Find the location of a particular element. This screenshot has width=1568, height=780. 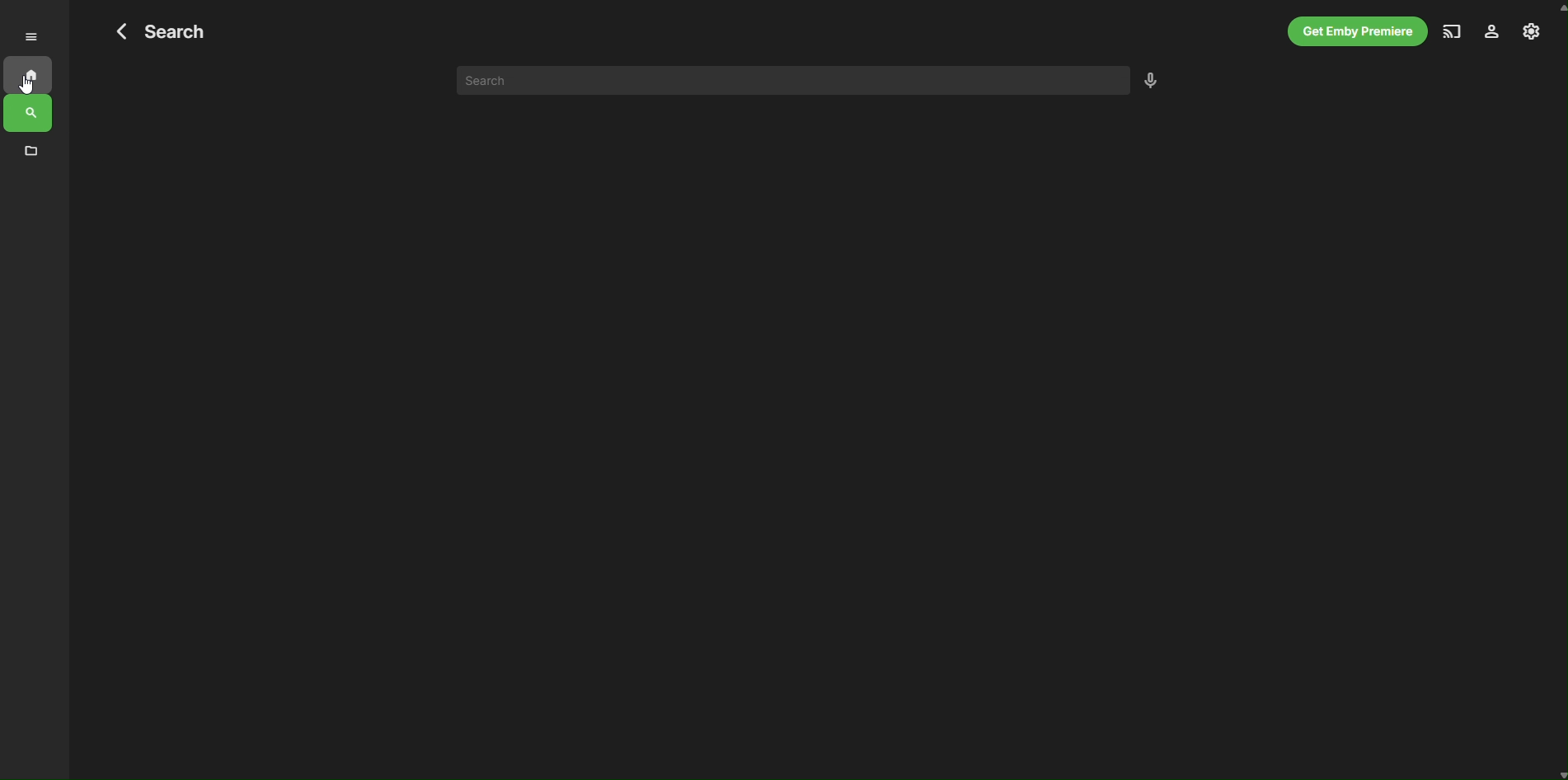

Voice is located at coordinates (1151, 80).